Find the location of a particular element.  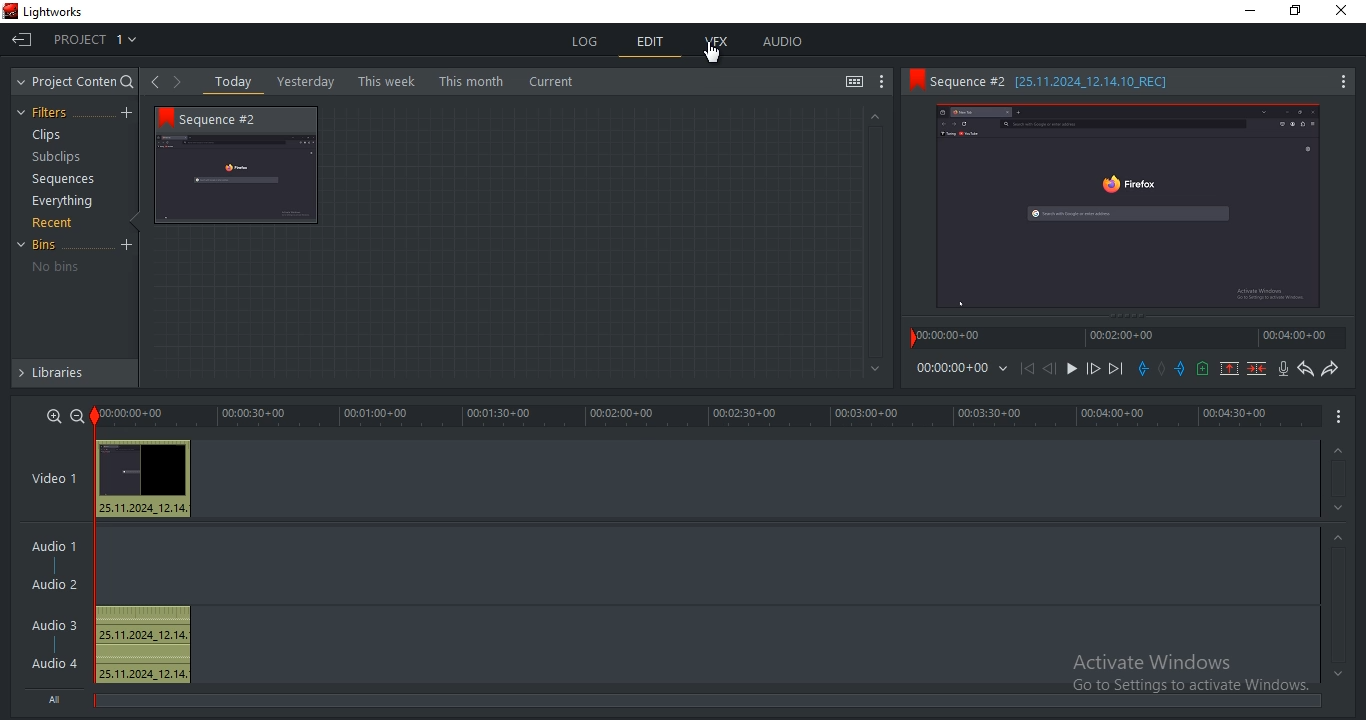

All is located at coordinates (48, 704).